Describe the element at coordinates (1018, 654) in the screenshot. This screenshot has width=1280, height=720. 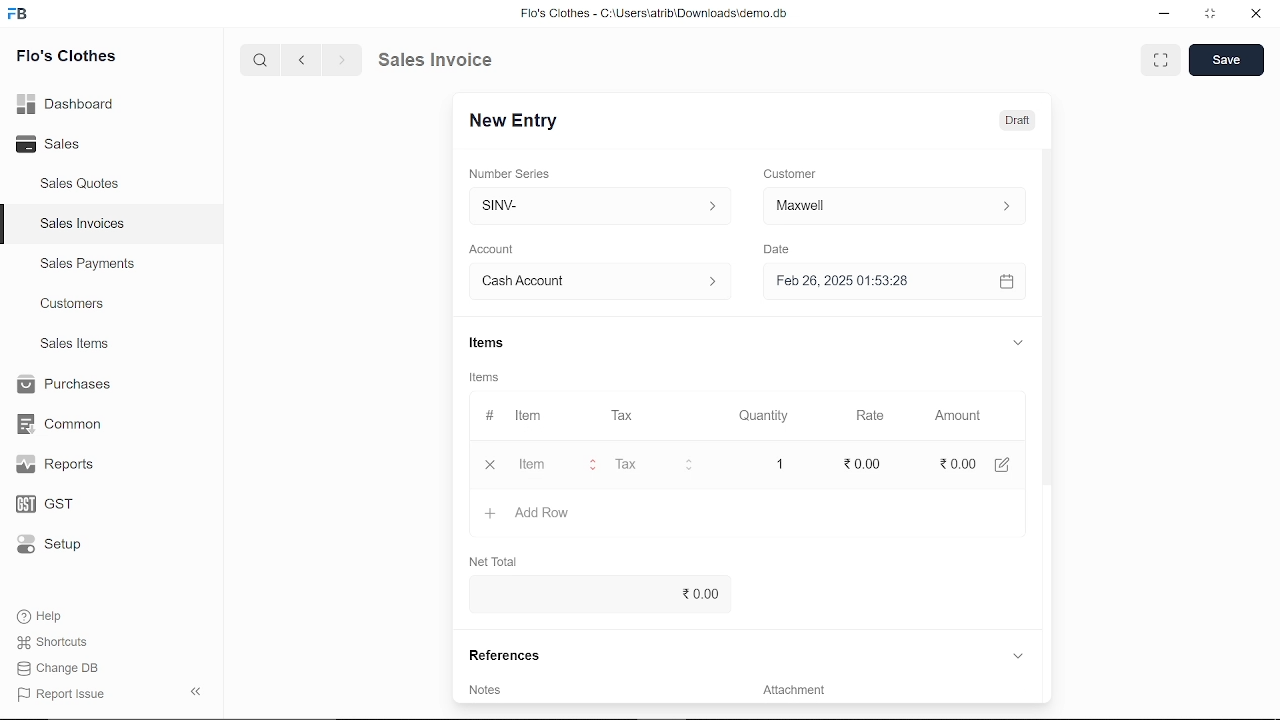
I see `expand` at that location.